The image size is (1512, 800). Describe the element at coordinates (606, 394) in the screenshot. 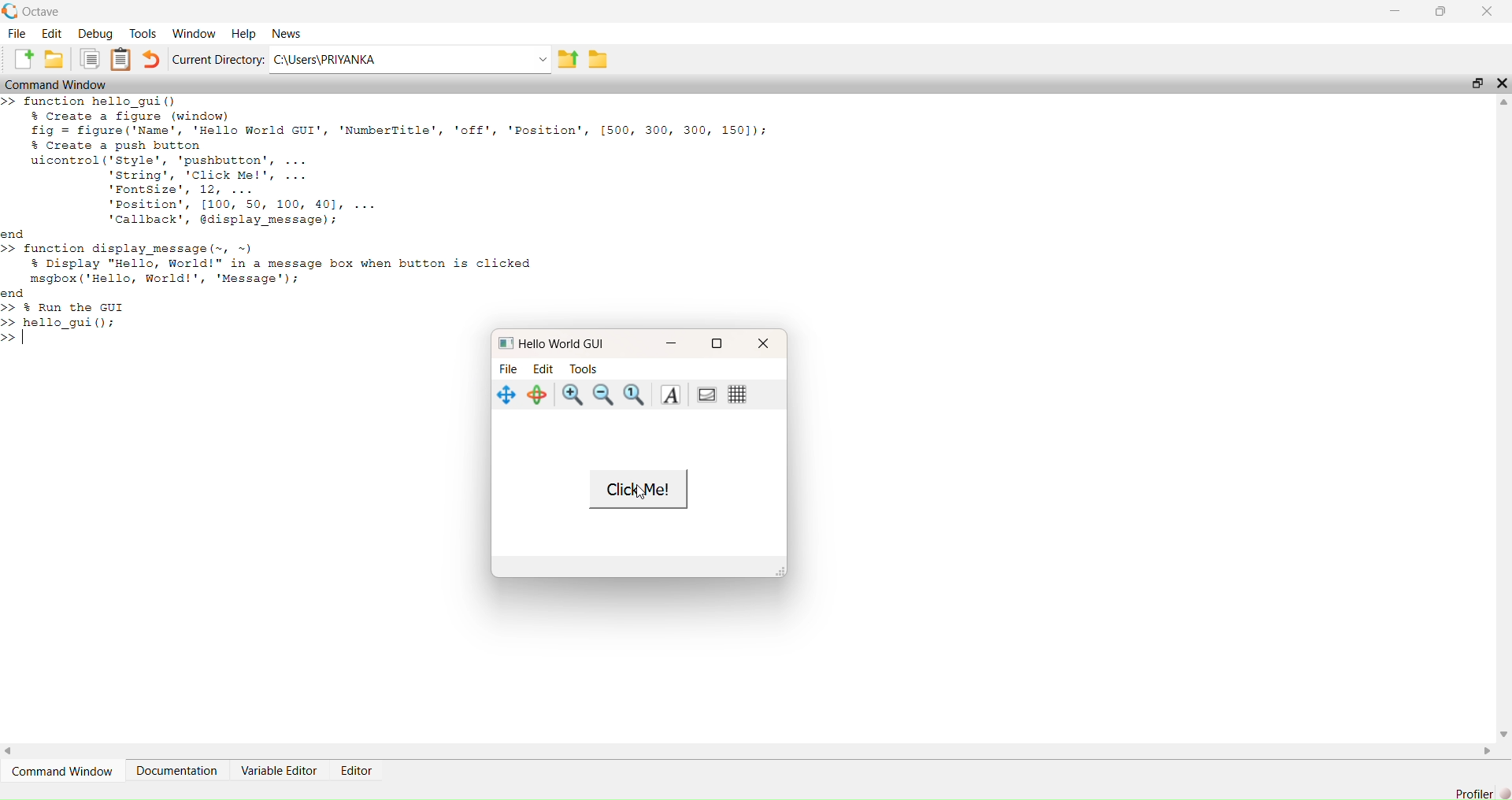

I see `zoom out` at that location.